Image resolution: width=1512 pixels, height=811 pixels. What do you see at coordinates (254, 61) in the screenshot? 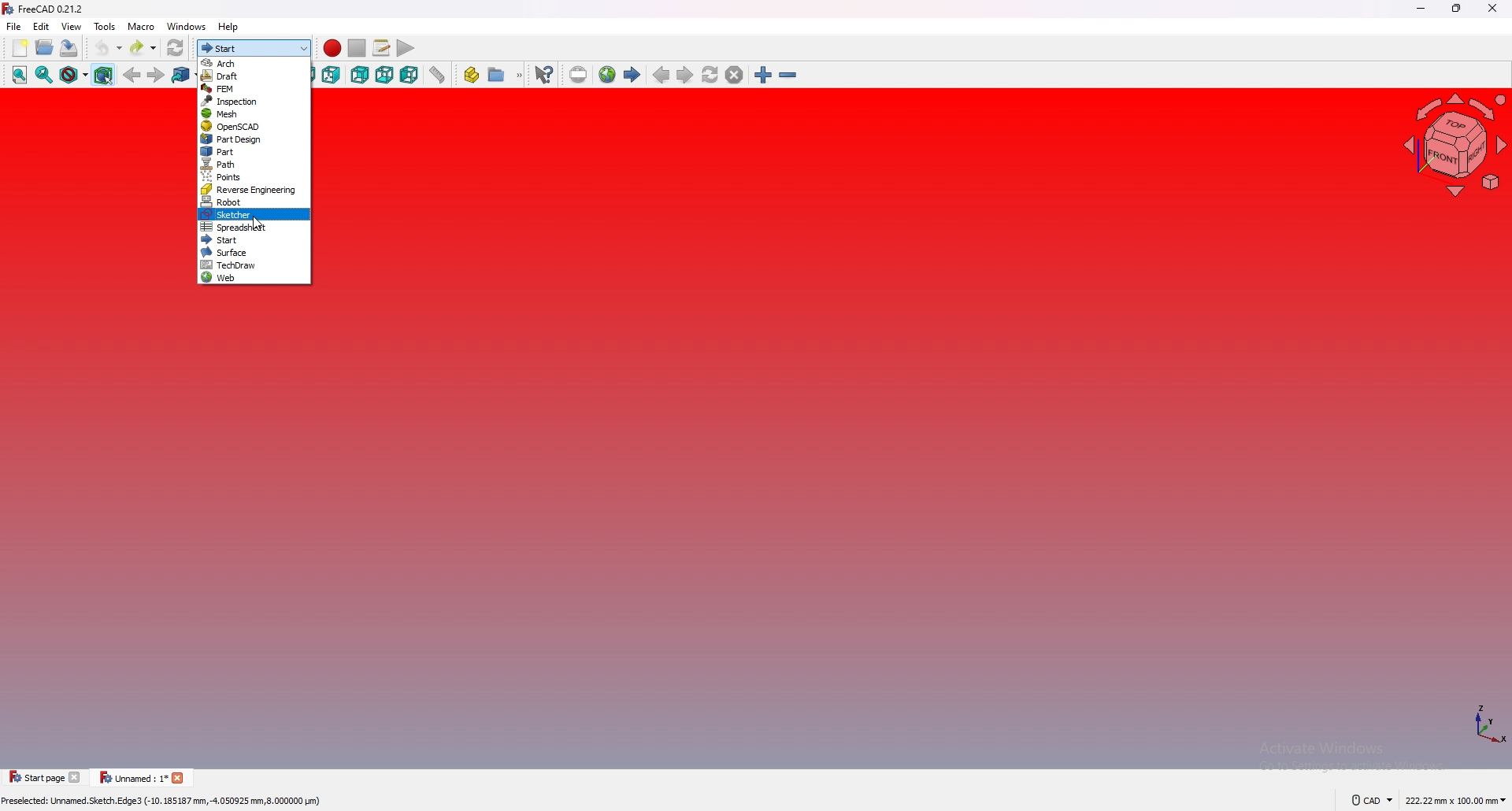
I see `arch` at bounding box center [254, 61].